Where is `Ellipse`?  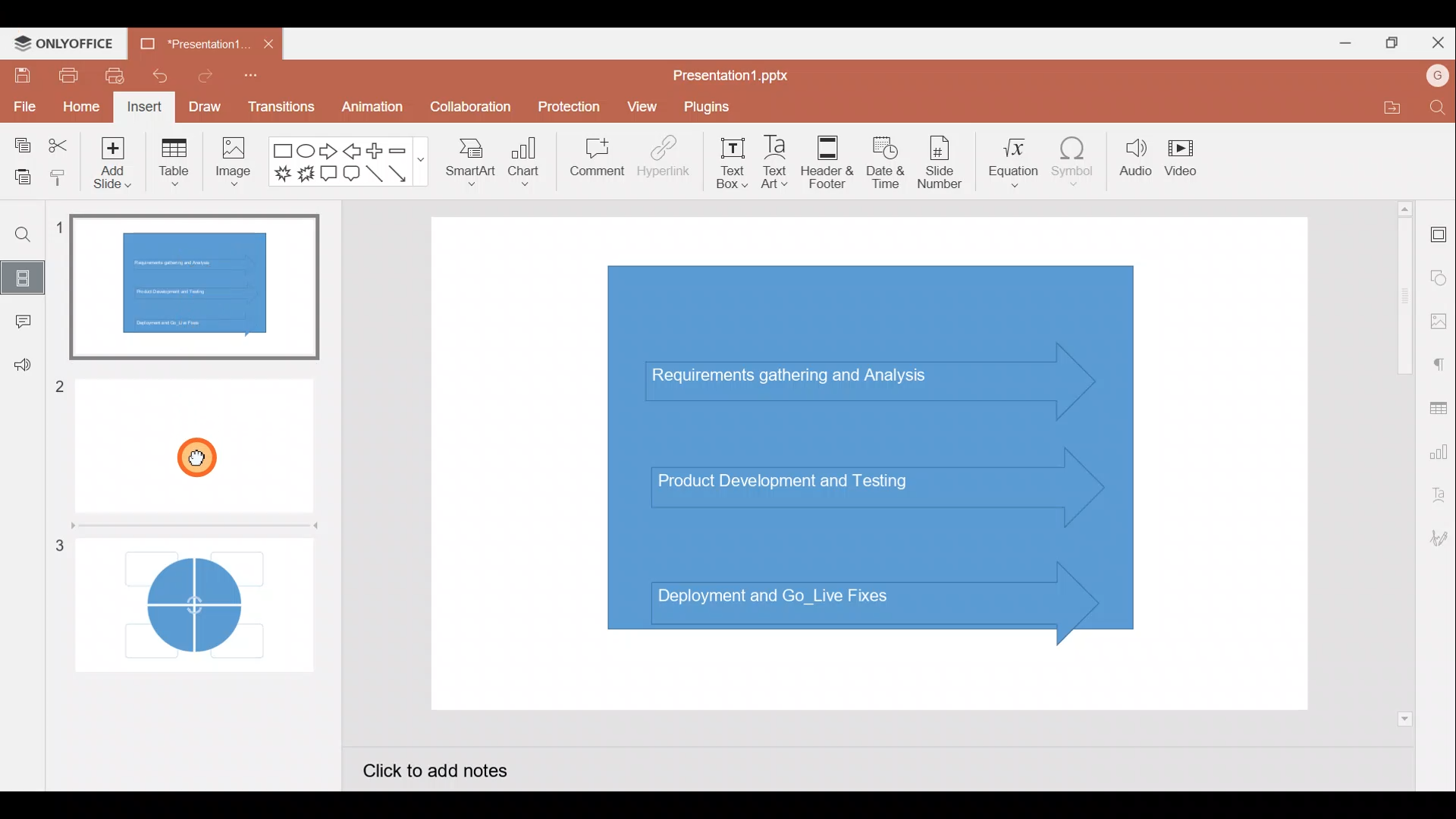
Ellipse is located at coordinates (305, 152).